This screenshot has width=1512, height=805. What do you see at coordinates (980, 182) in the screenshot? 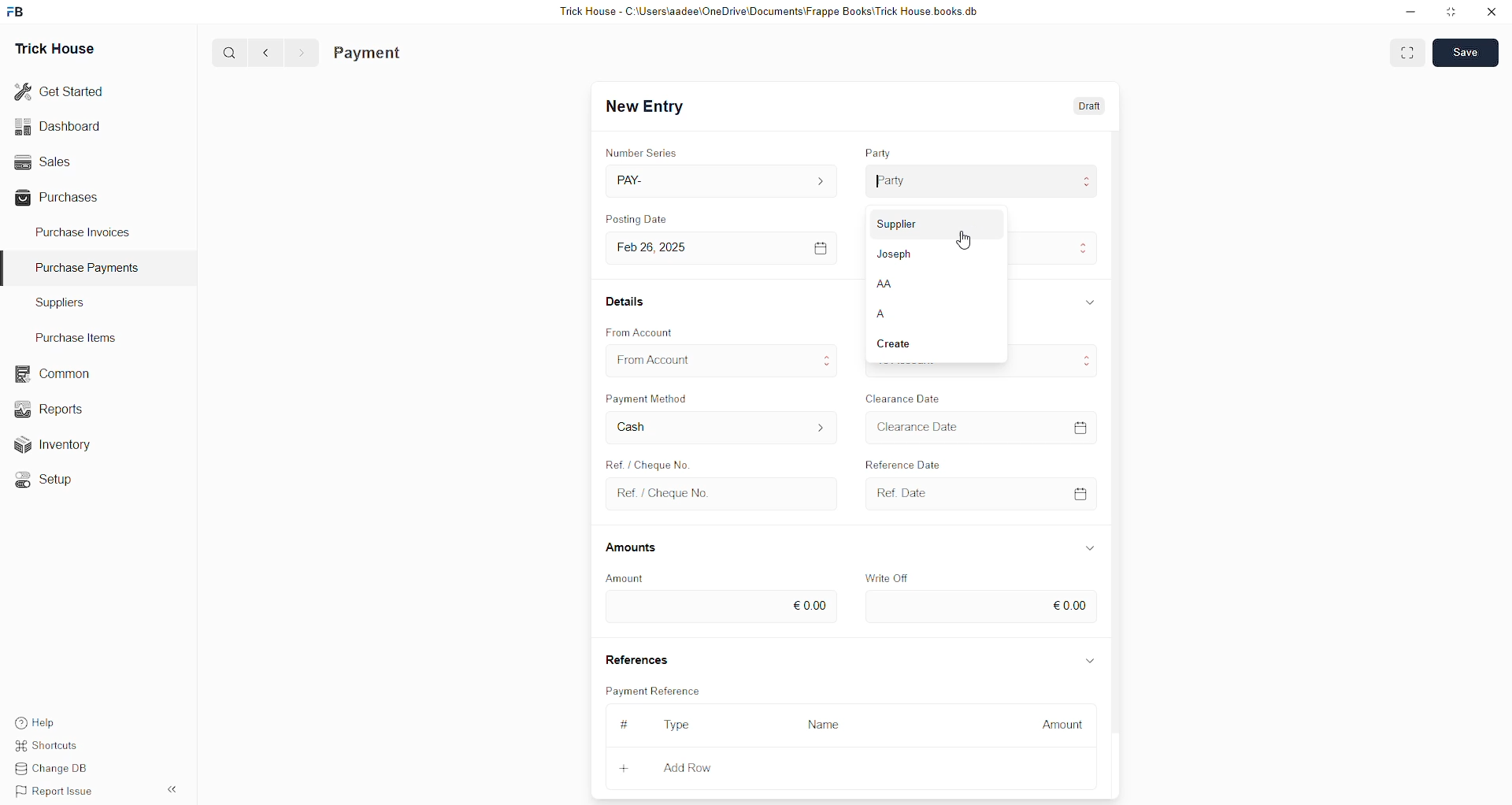
I see `Party` at bounding box center [980, 182].